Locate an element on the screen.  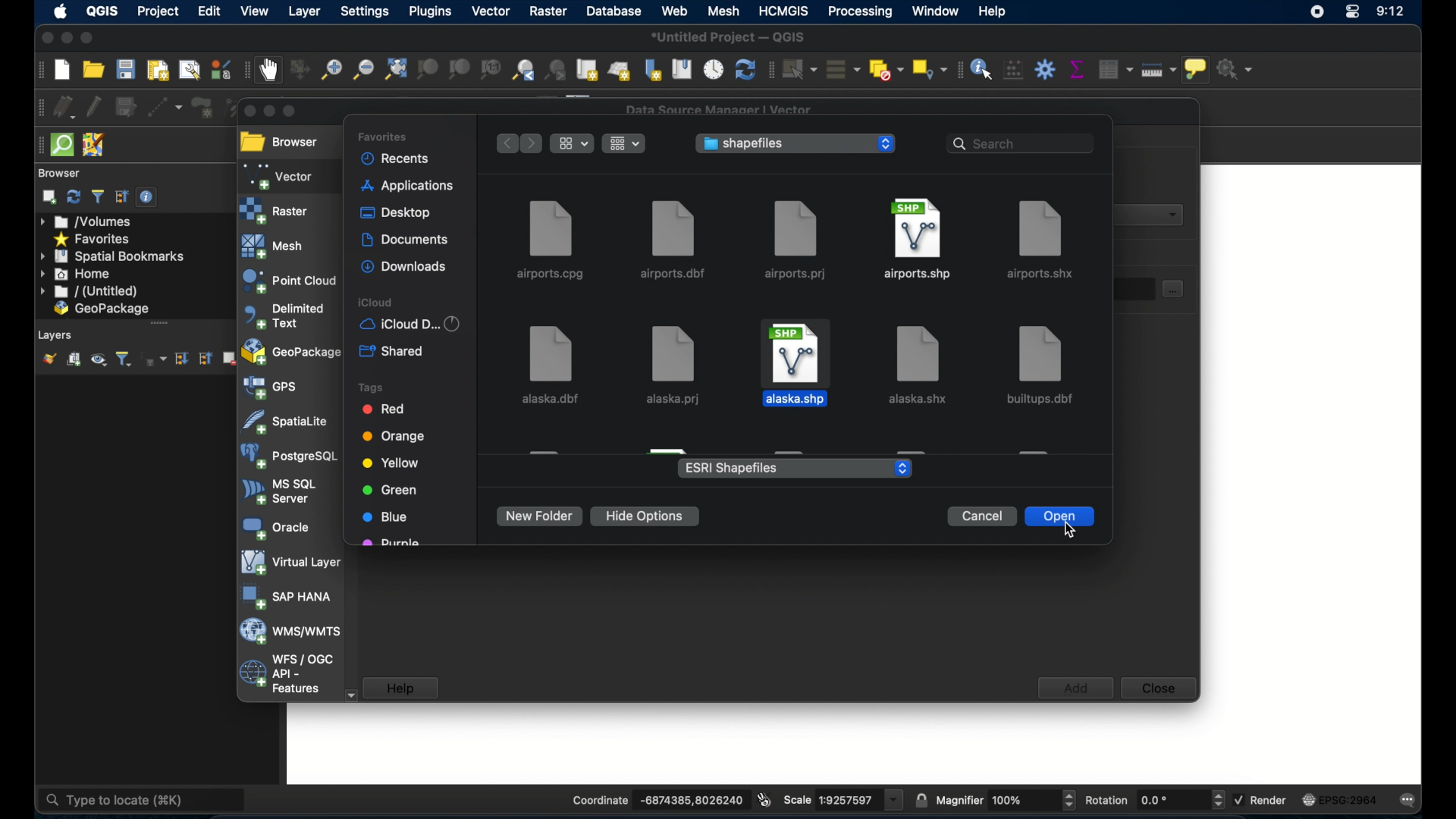
icloud is located at coordinates (375, 302).